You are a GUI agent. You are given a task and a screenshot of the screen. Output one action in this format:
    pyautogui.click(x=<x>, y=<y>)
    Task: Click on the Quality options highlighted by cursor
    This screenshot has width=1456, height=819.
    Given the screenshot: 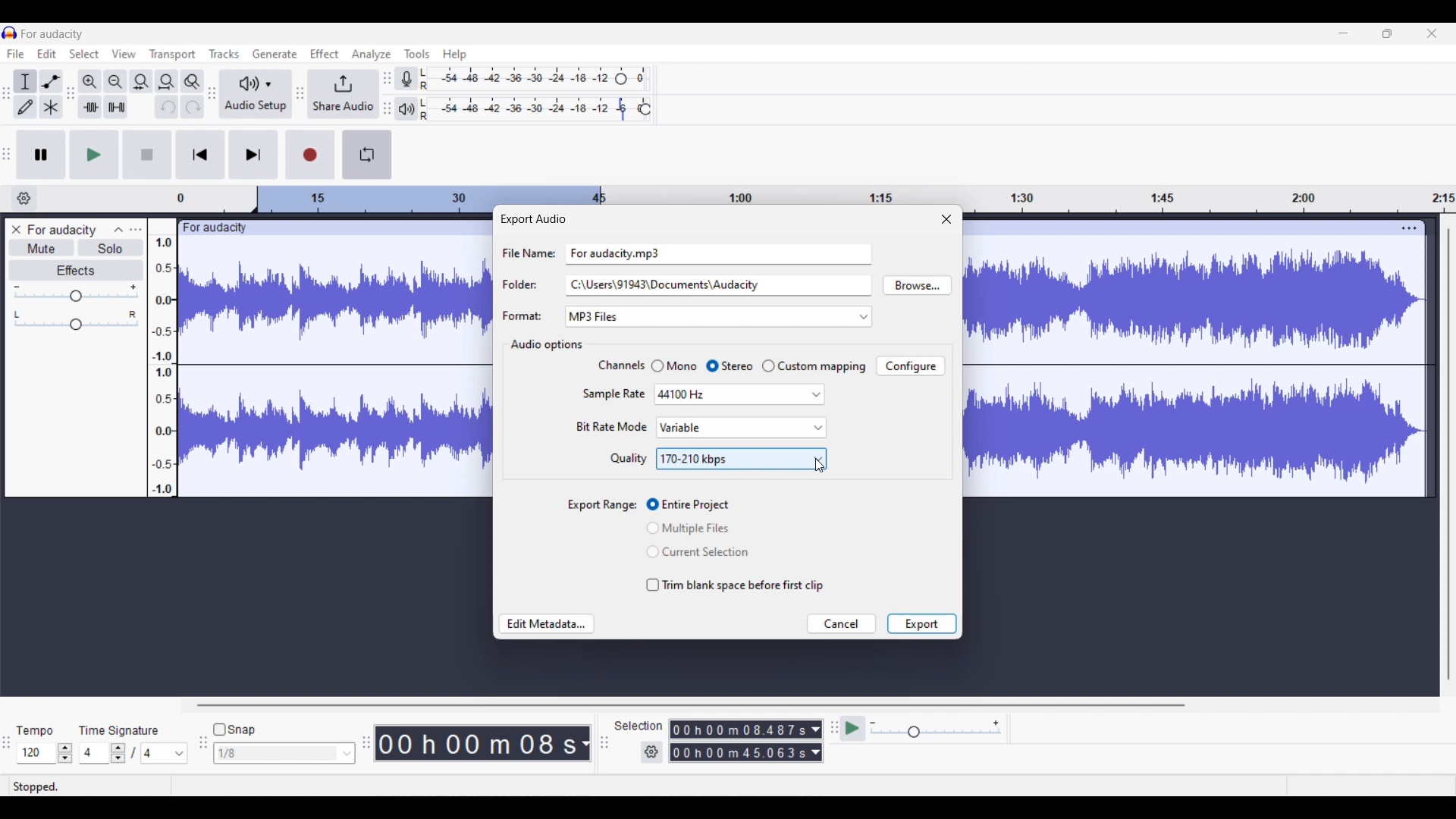 What is the action you would take?
    pyautogui.click(x=741, y=459)
    